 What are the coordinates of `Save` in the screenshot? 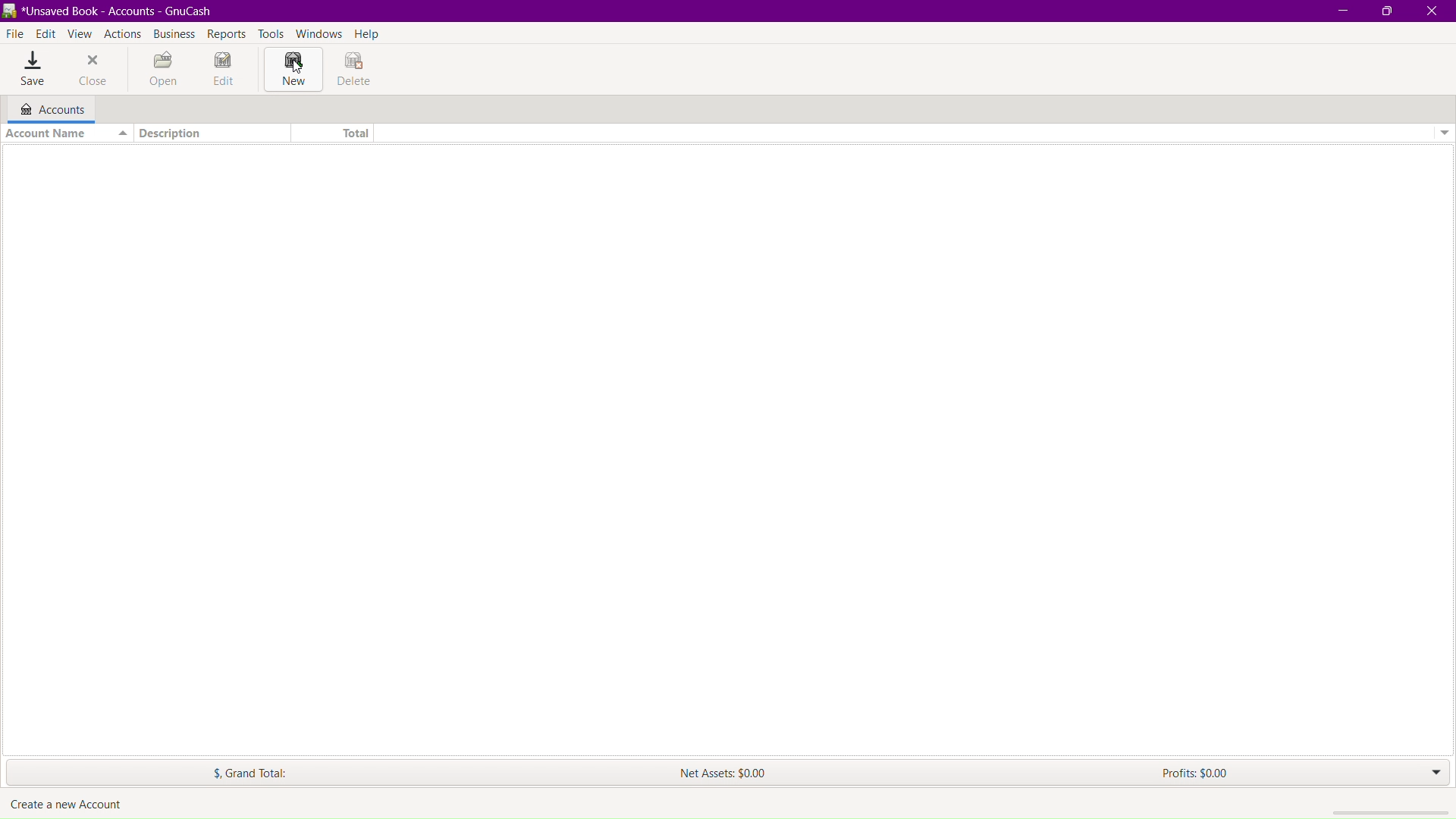 It's located at (31, 67).